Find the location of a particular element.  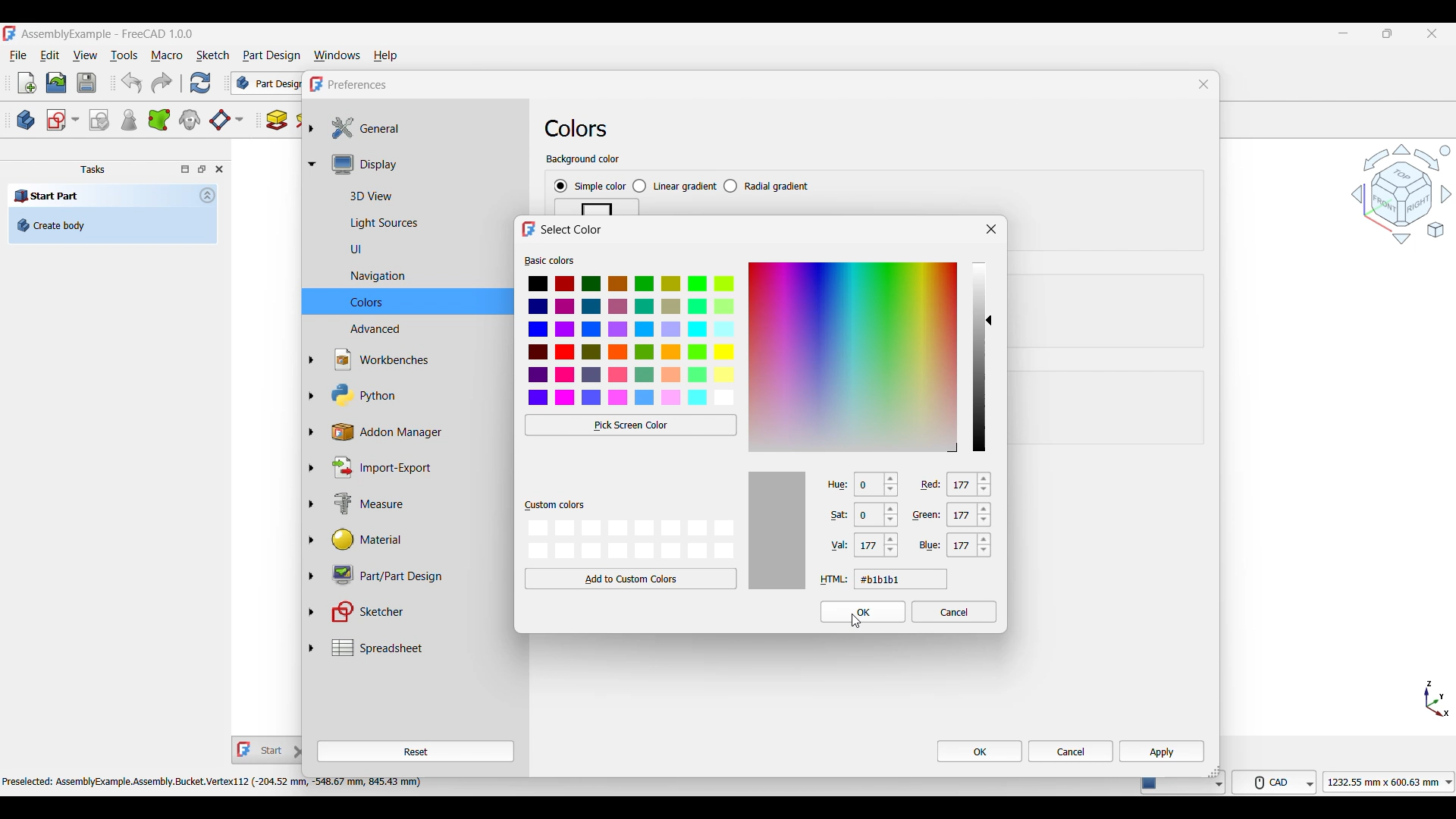

General settings is located at coordinates (424, 128).